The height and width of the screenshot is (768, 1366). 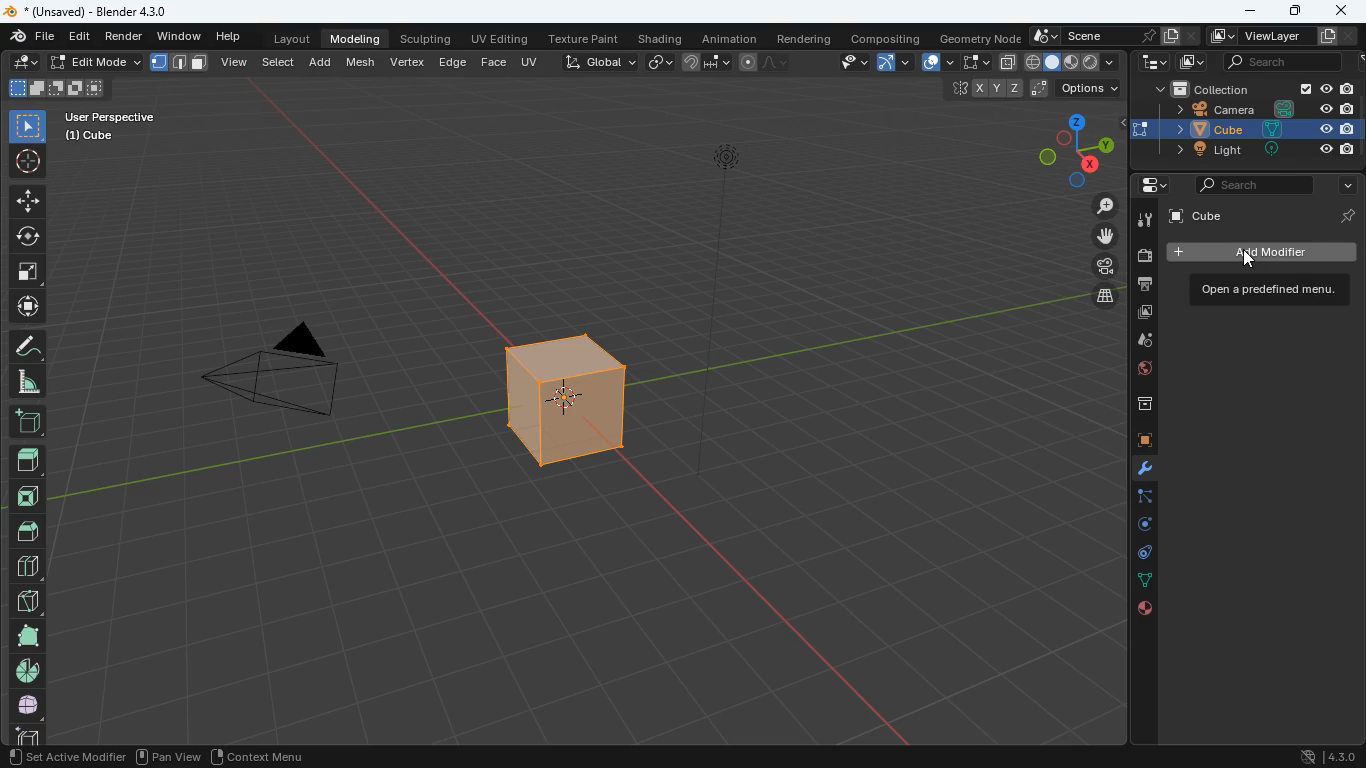 I want to click on camera, so click(x=1143, y=257).